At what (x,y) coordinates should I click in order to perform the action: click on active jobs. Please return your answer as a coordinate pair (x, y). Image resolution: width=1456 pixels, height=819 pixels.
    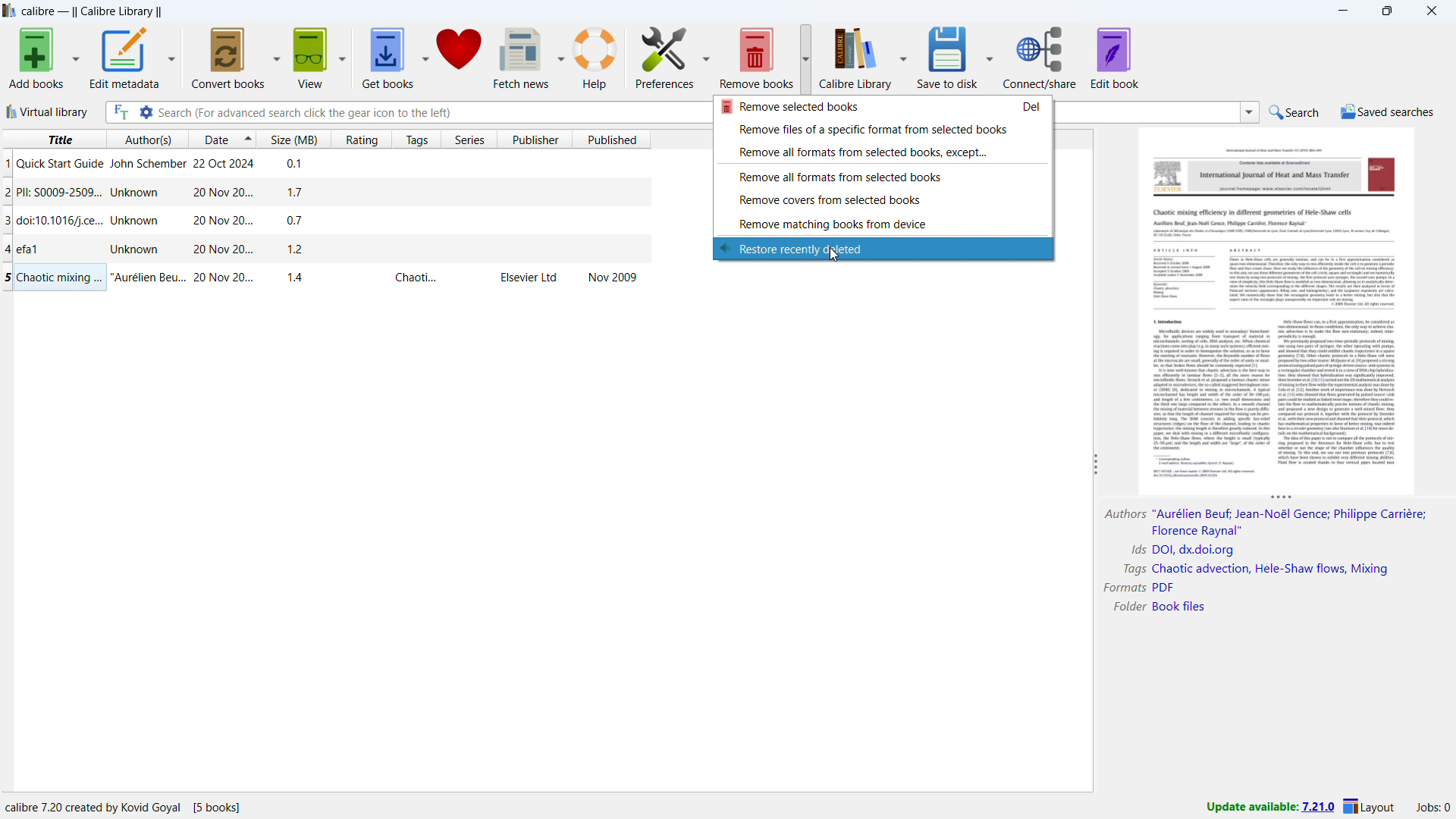
    Looking at the image, I should click on (1432, 808).